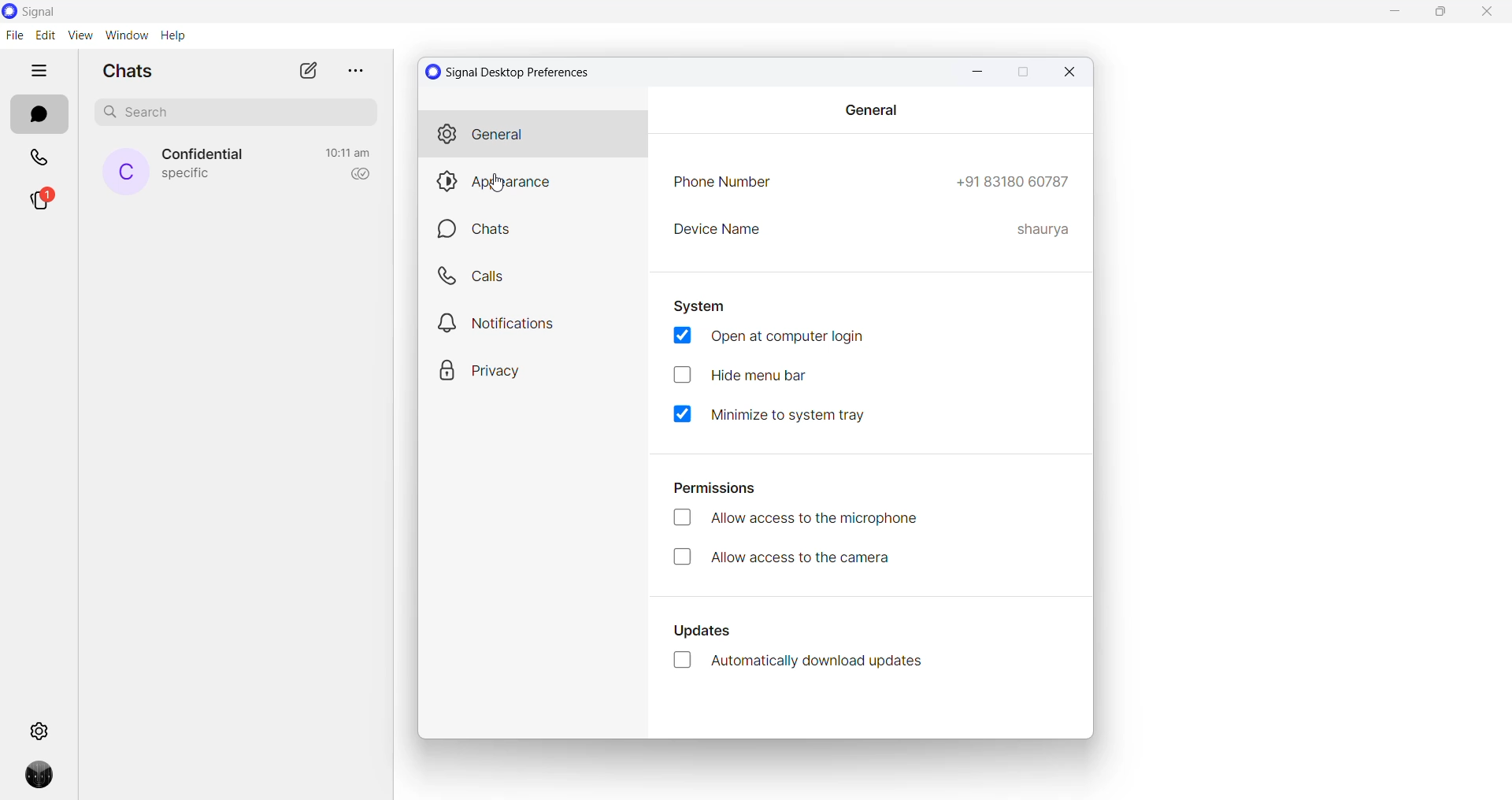 This screenshot has height=800, width=1512. I want to click on minimize to system tray checkbox, so click(781, 418).